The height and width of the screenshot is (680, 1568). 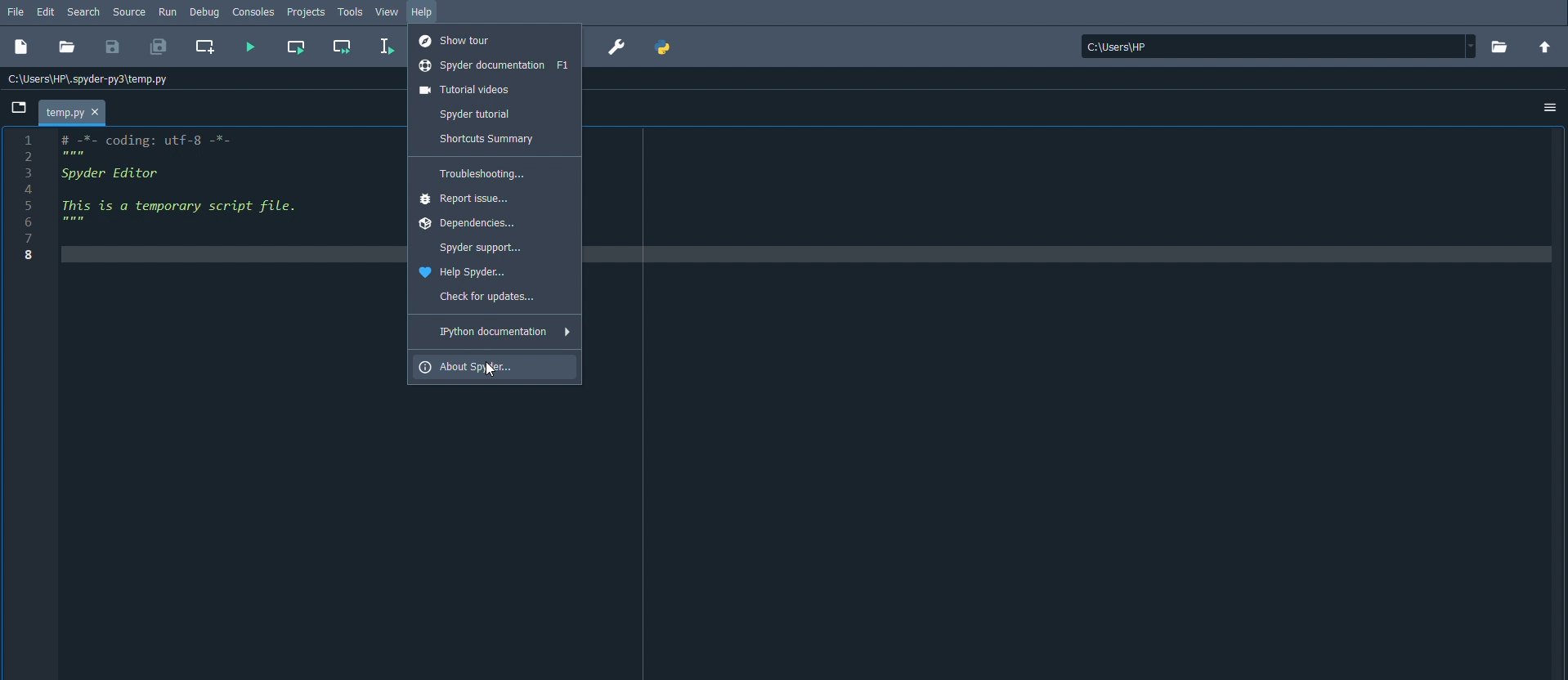 I want to click on Spyder support, so click(x=479, y=246).